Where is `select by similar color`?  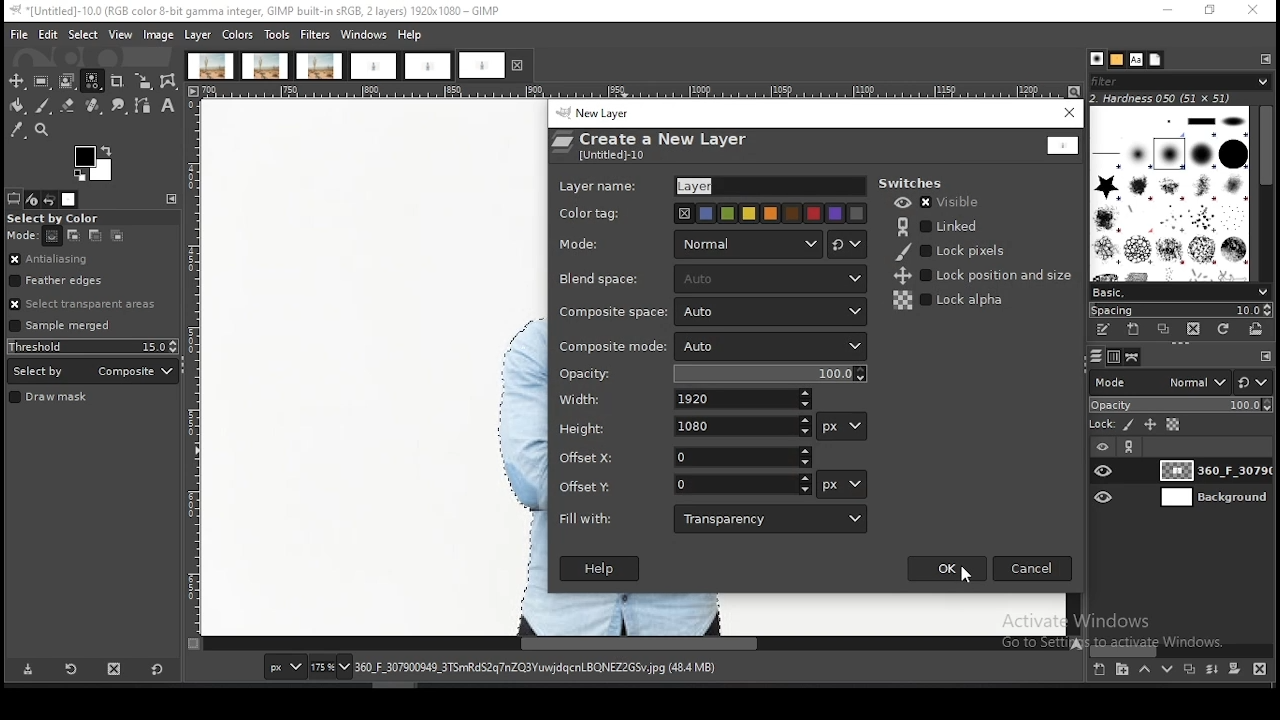
select by similar color is located at coordinates (92, 81).